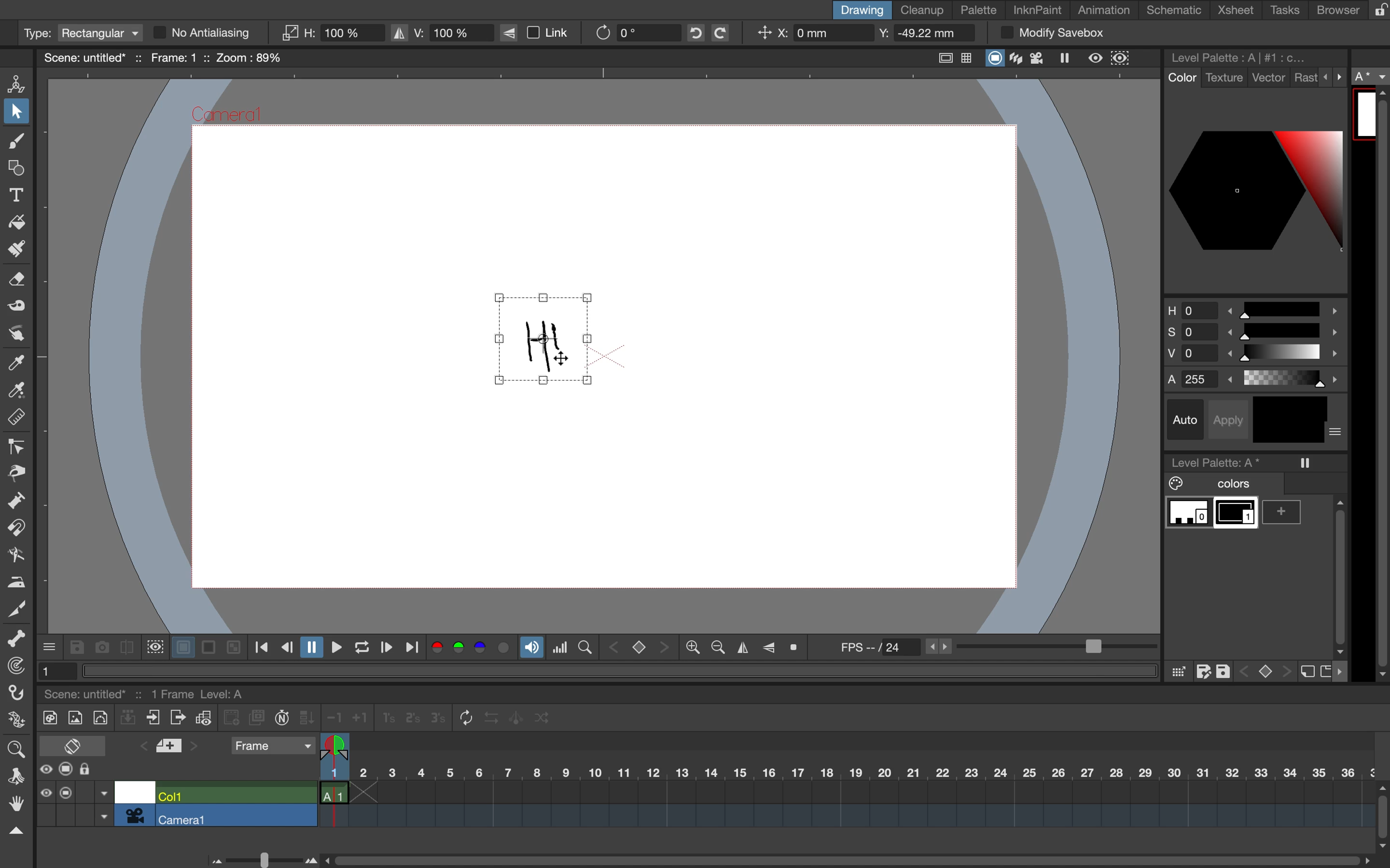  Describe the element at coordinates (153, 646) in the screenshot. I see `define sub camera` at that location.